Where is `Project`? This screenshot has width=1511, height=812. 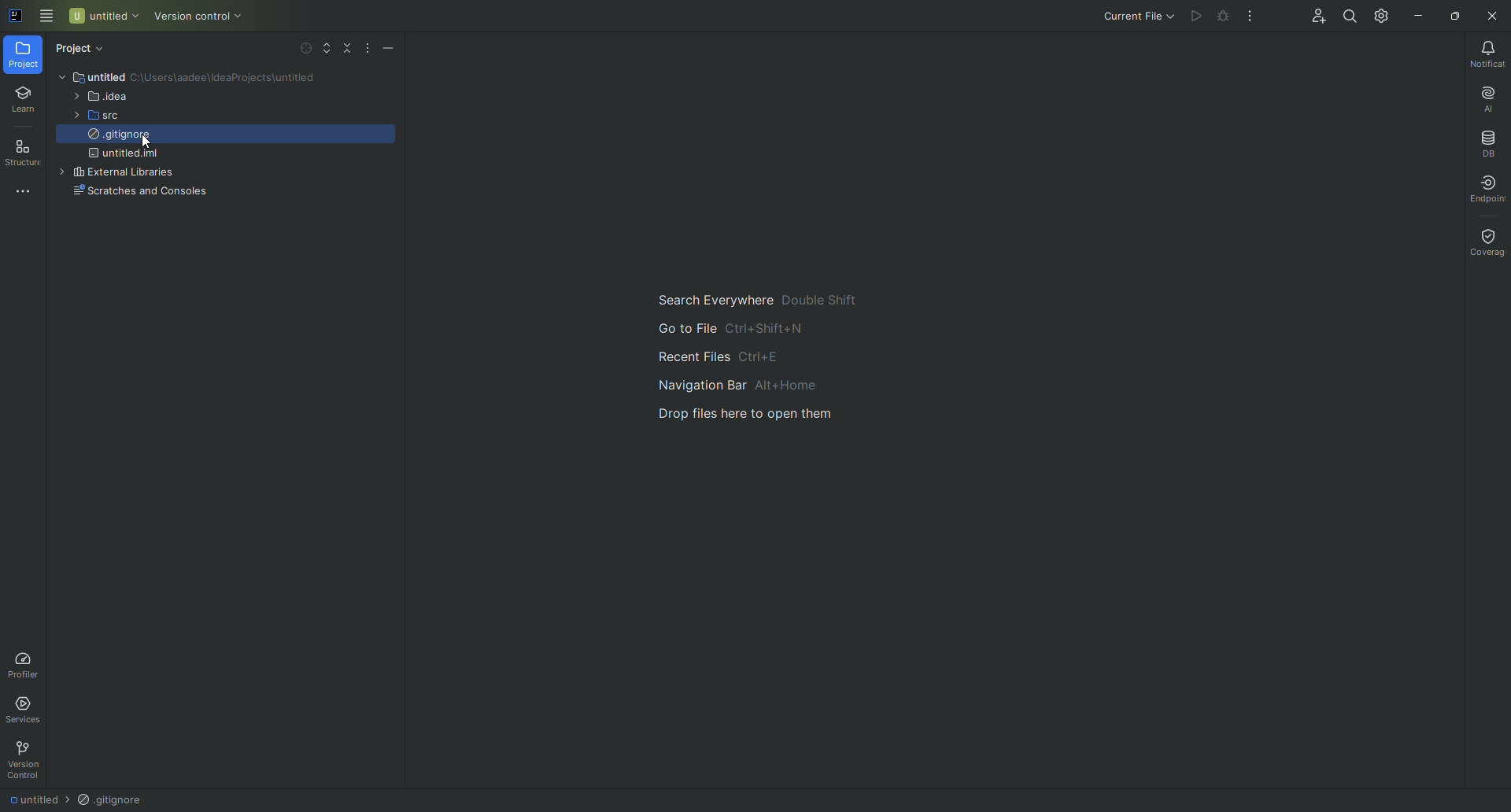
Project is located at coordinates (84, 46).